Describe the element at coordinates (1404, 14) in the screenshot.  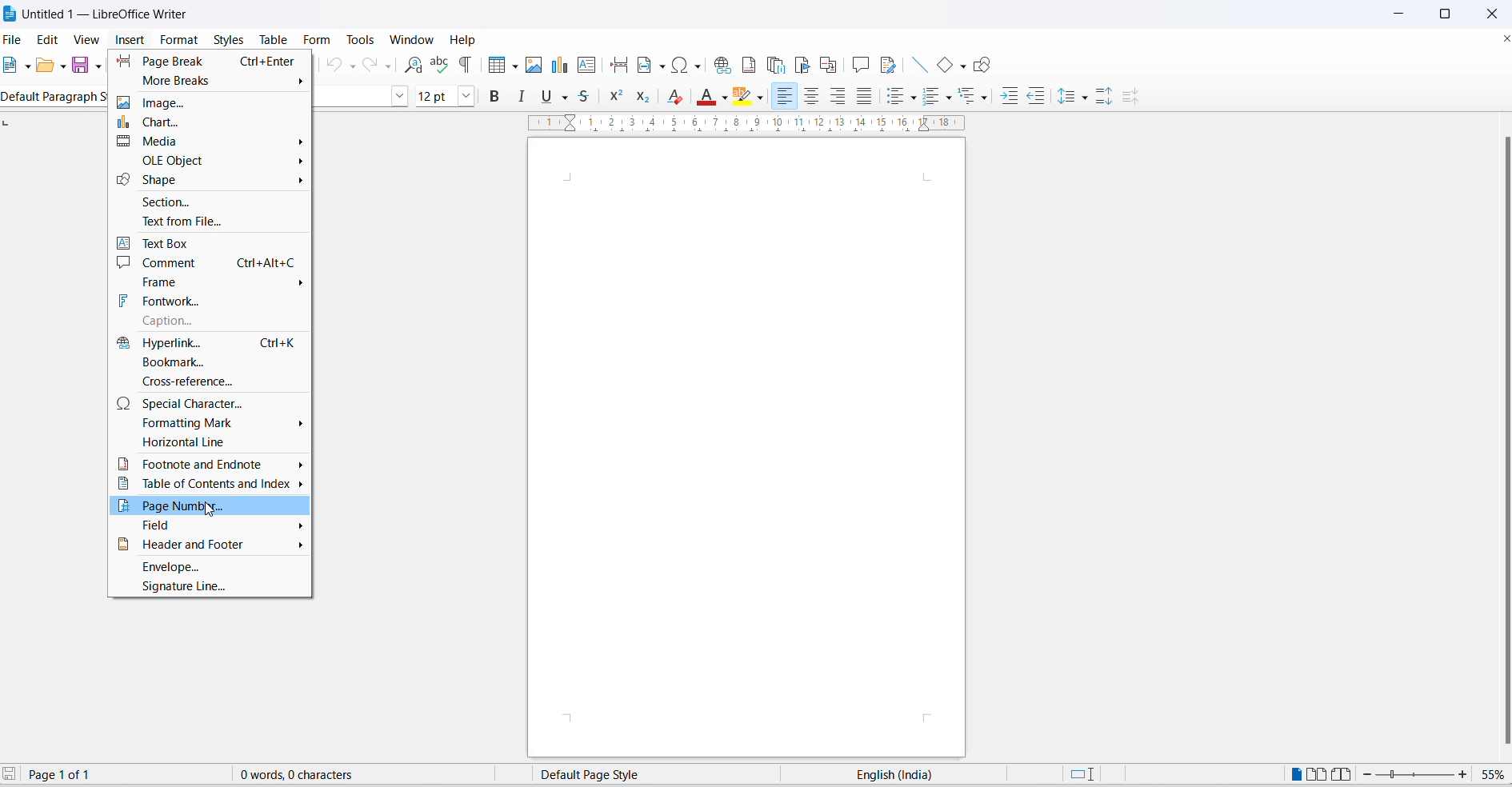
I see `minimize` at that location.